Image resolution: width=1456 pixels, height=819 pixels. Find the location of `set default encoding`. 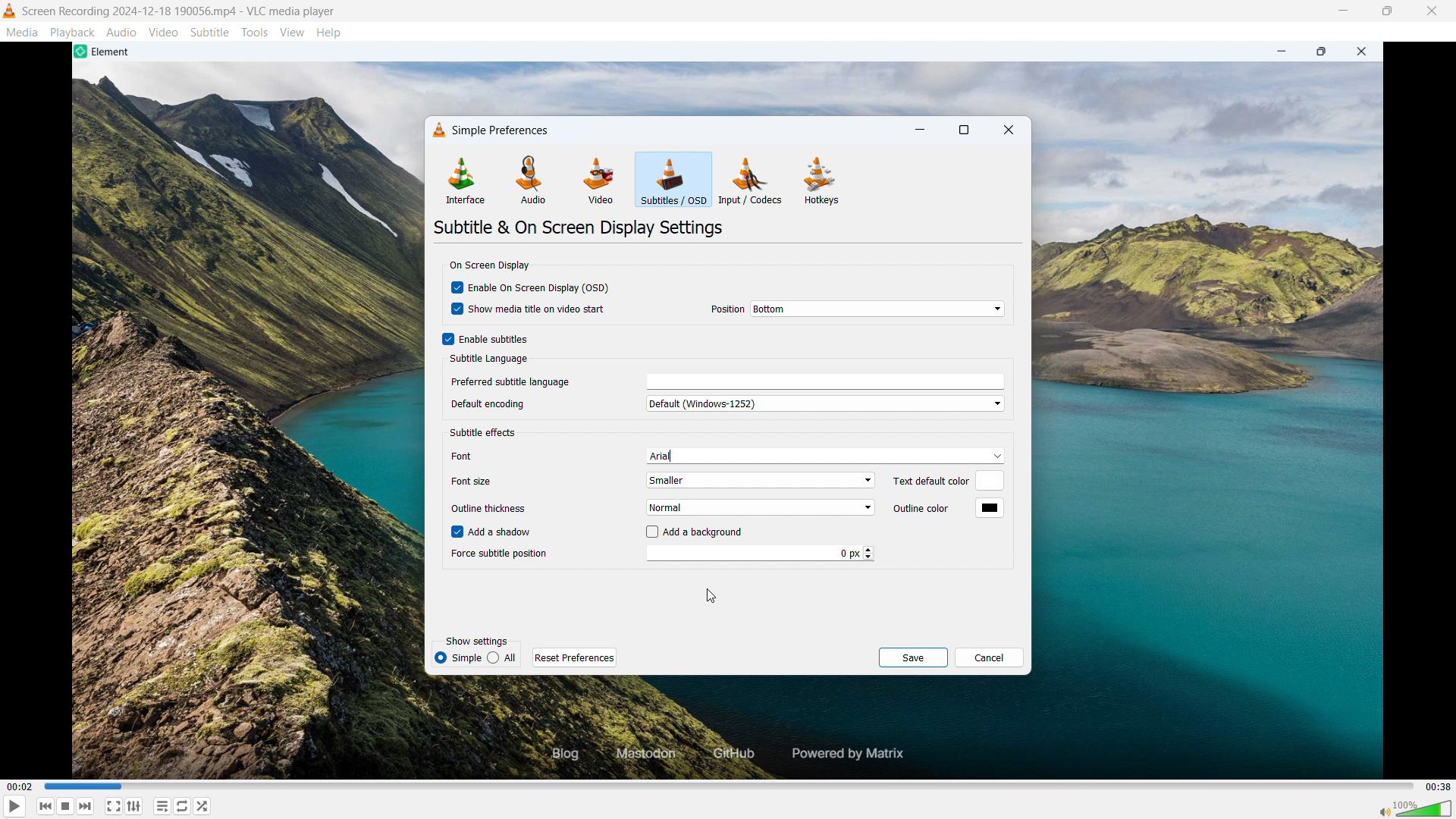

set default encoding is located at coordinates (823, 403).